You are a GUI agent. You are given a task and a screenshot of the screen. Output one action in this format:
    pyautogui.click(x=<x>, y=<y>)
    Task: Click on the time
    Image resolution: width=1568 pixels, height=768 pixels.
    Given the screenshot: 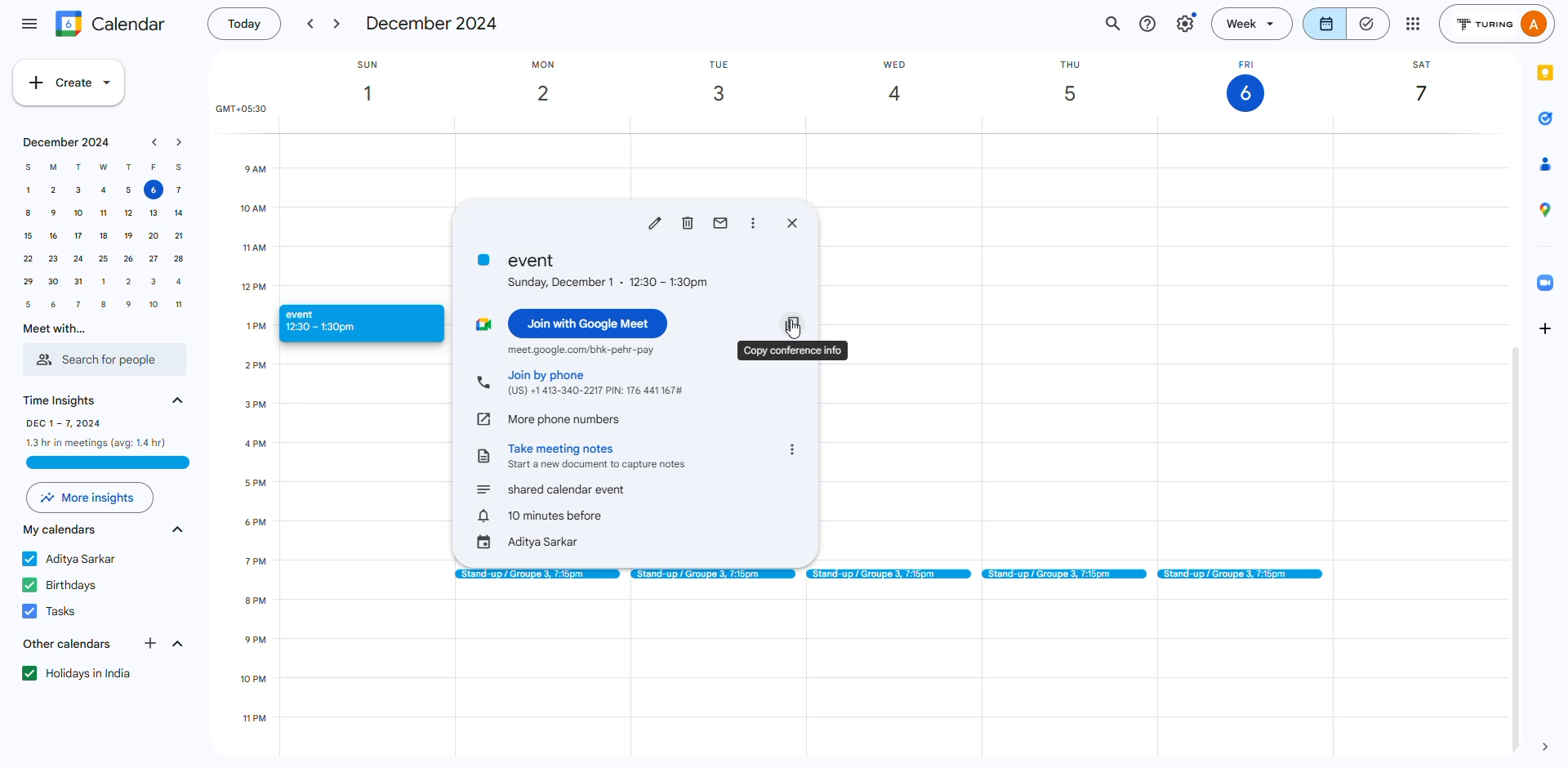 What is the action you would take?
    pyautogui.click(x=62, y=399)
    